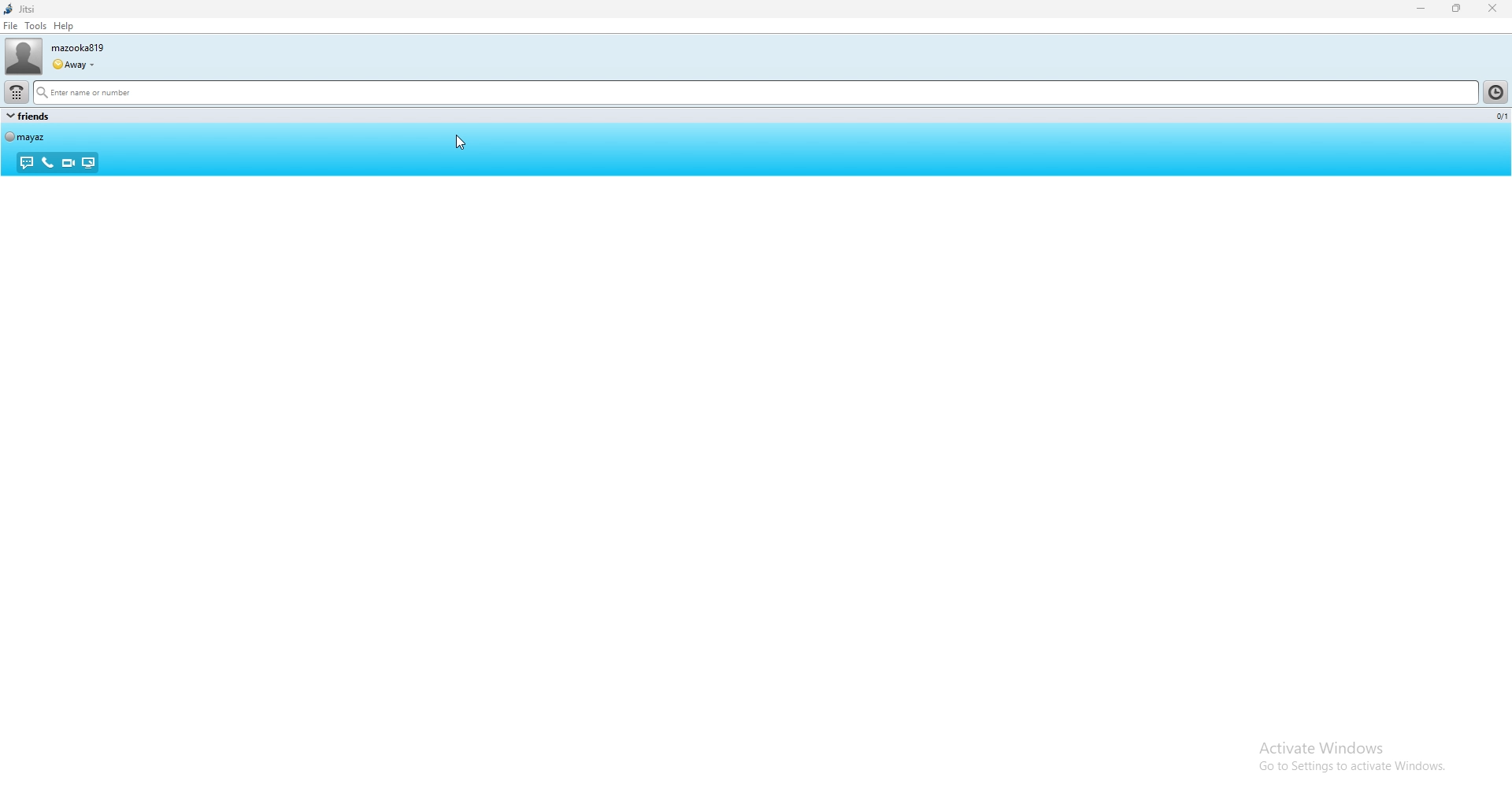 This screenshot has width=1512, height=811. Describe the element at coordinates (1421, 9) in the screenshot. I see `minimize` at that location.